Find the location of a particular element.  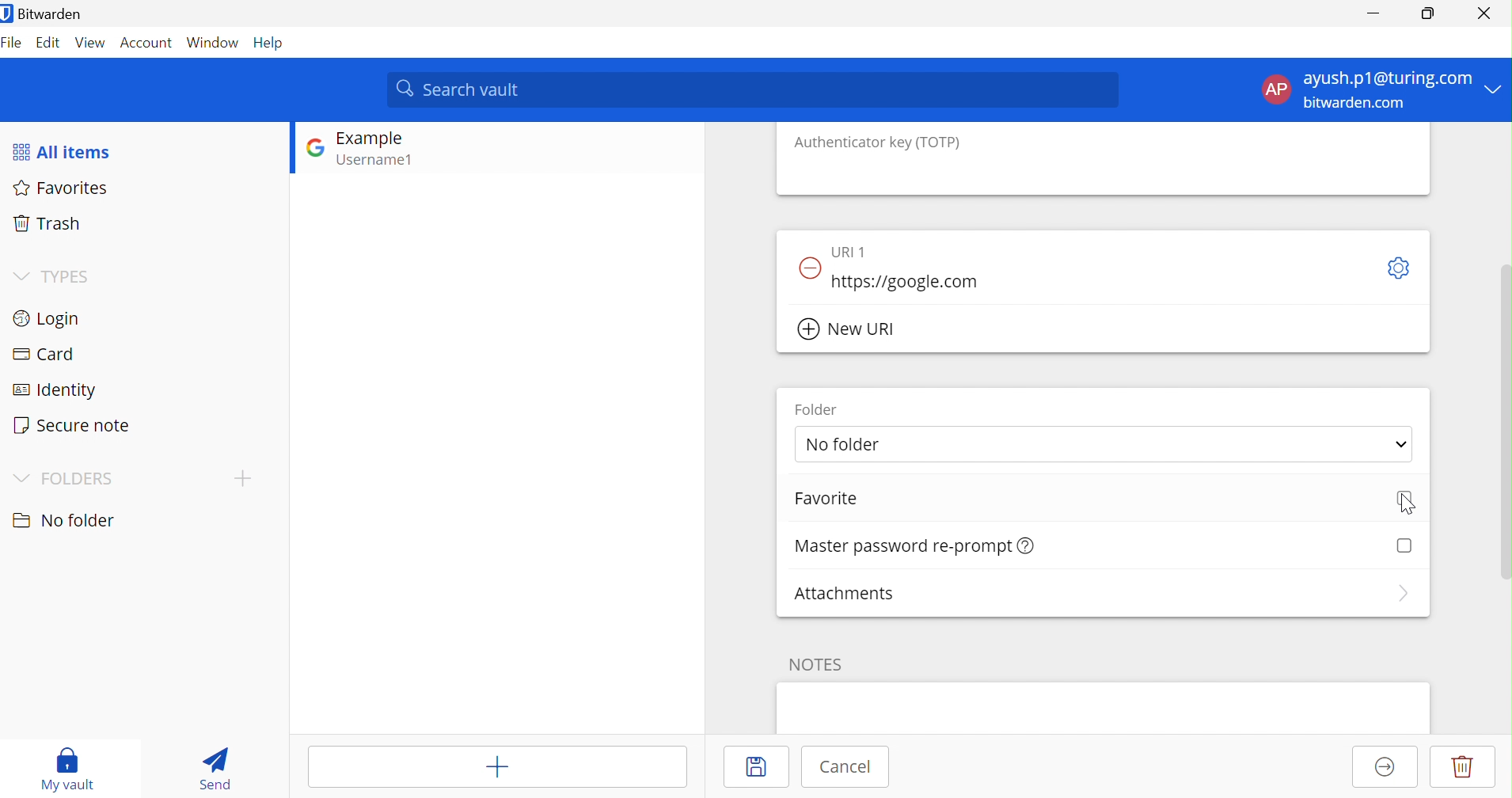

View is located at coordinates (91, 42).